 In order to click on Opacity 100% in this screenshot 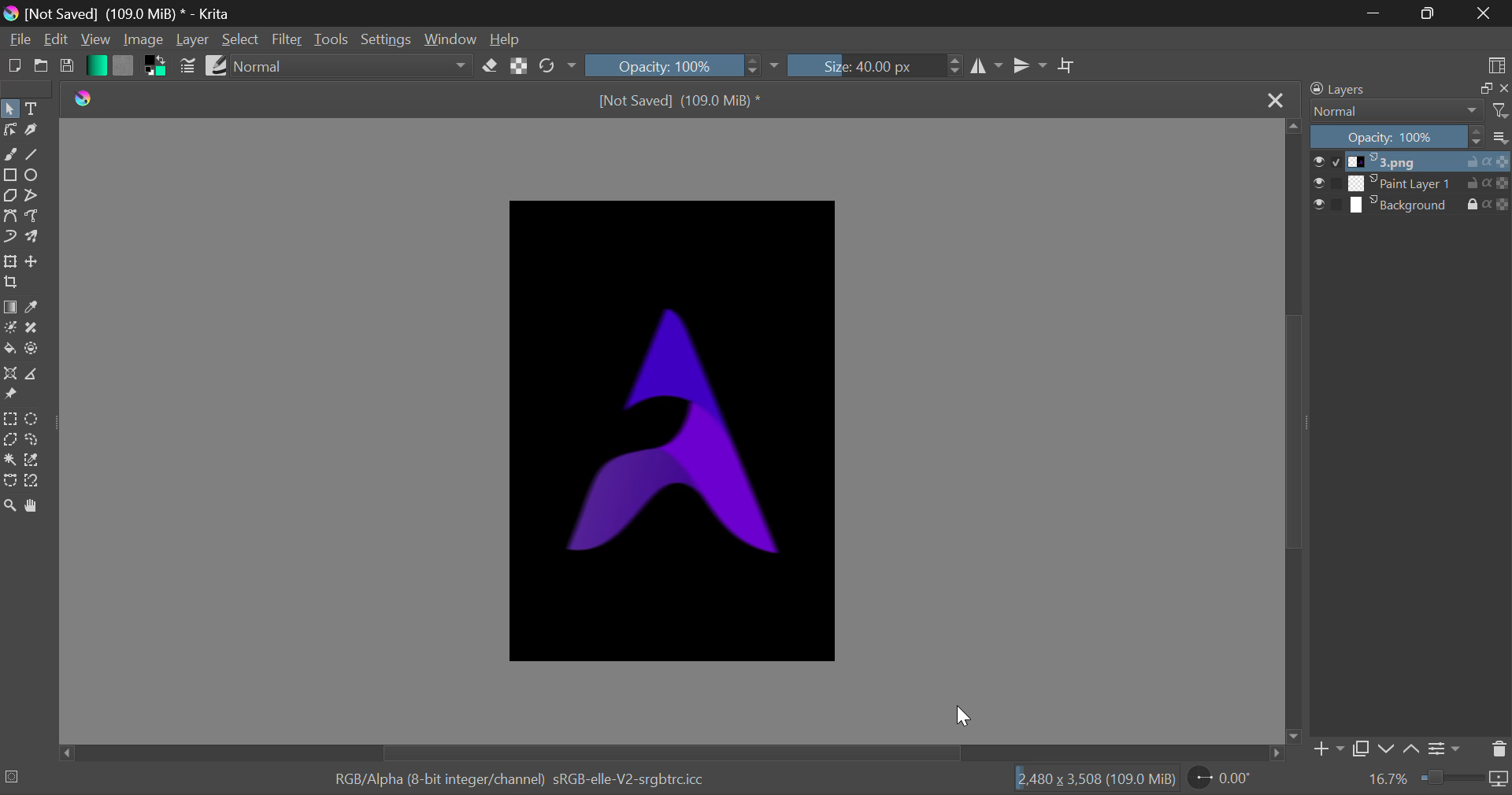, I will do `click(1412, 138)`.